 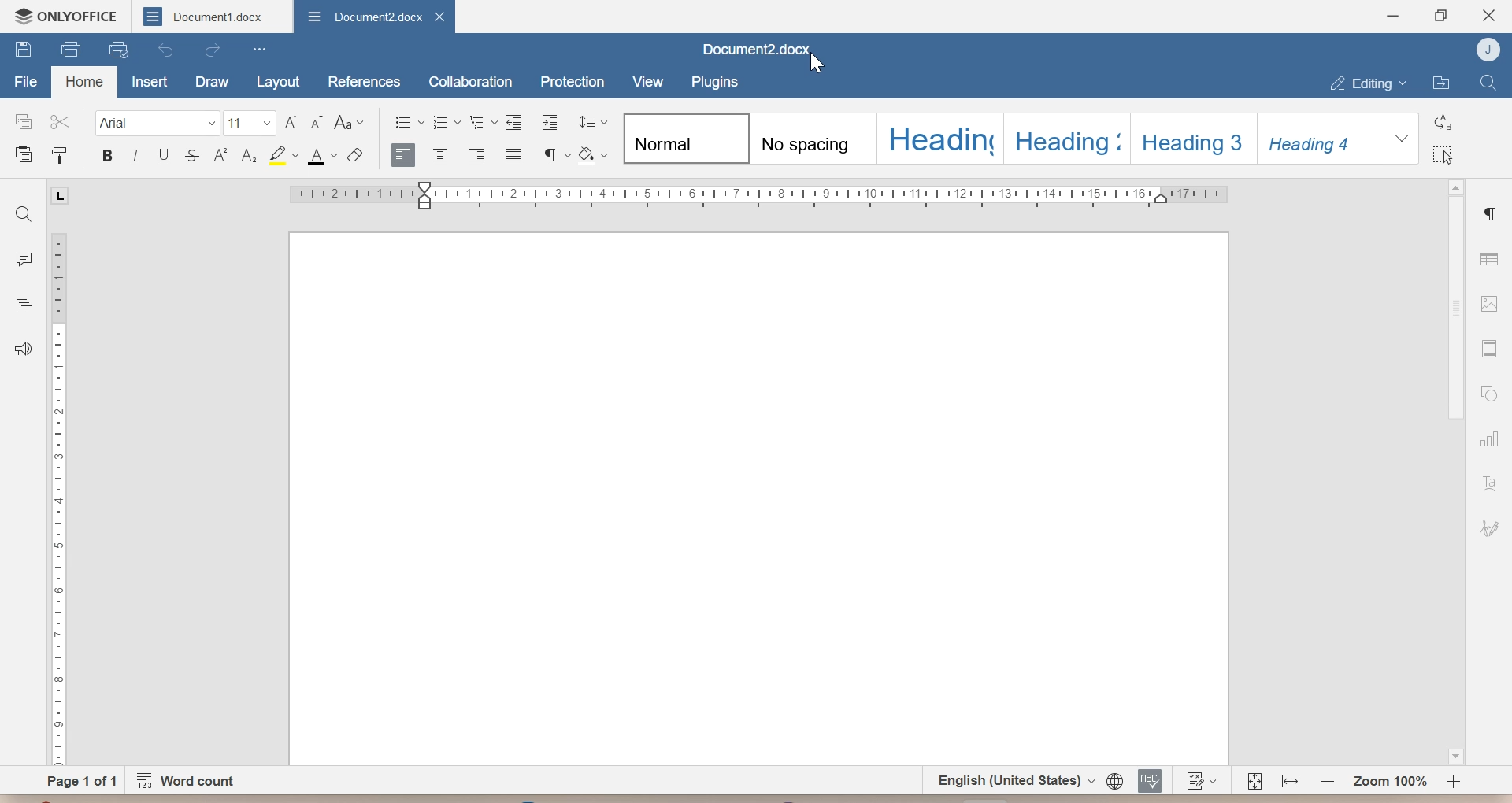 What do you see at coordinates (713, 81) in the screenshot?
I see `Plugins` at bounding box center [713, 81].